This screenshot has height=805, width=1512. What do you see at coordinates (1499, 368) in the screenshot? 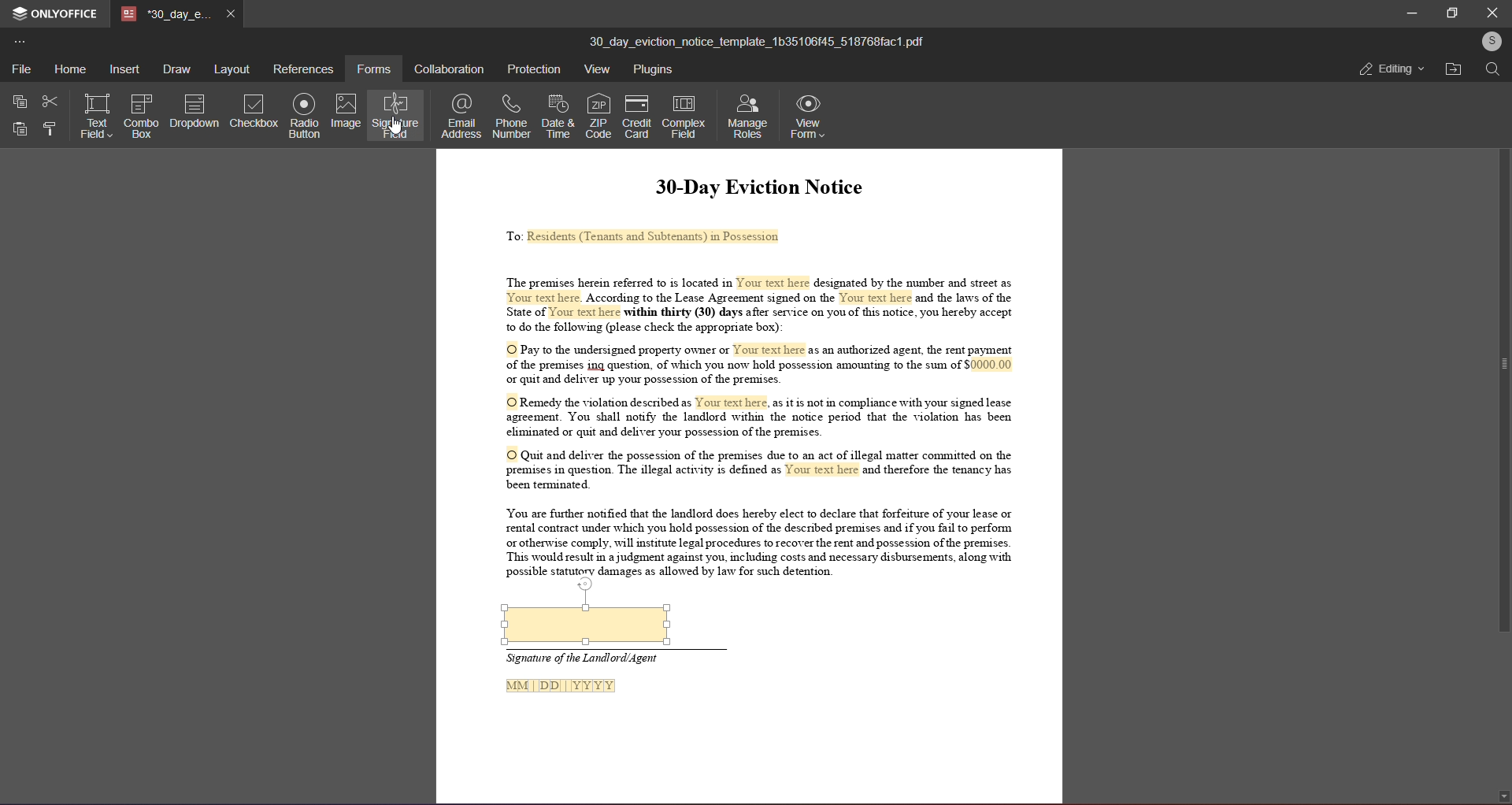
I see `scroll bar` at bounding box center [1499, 368].